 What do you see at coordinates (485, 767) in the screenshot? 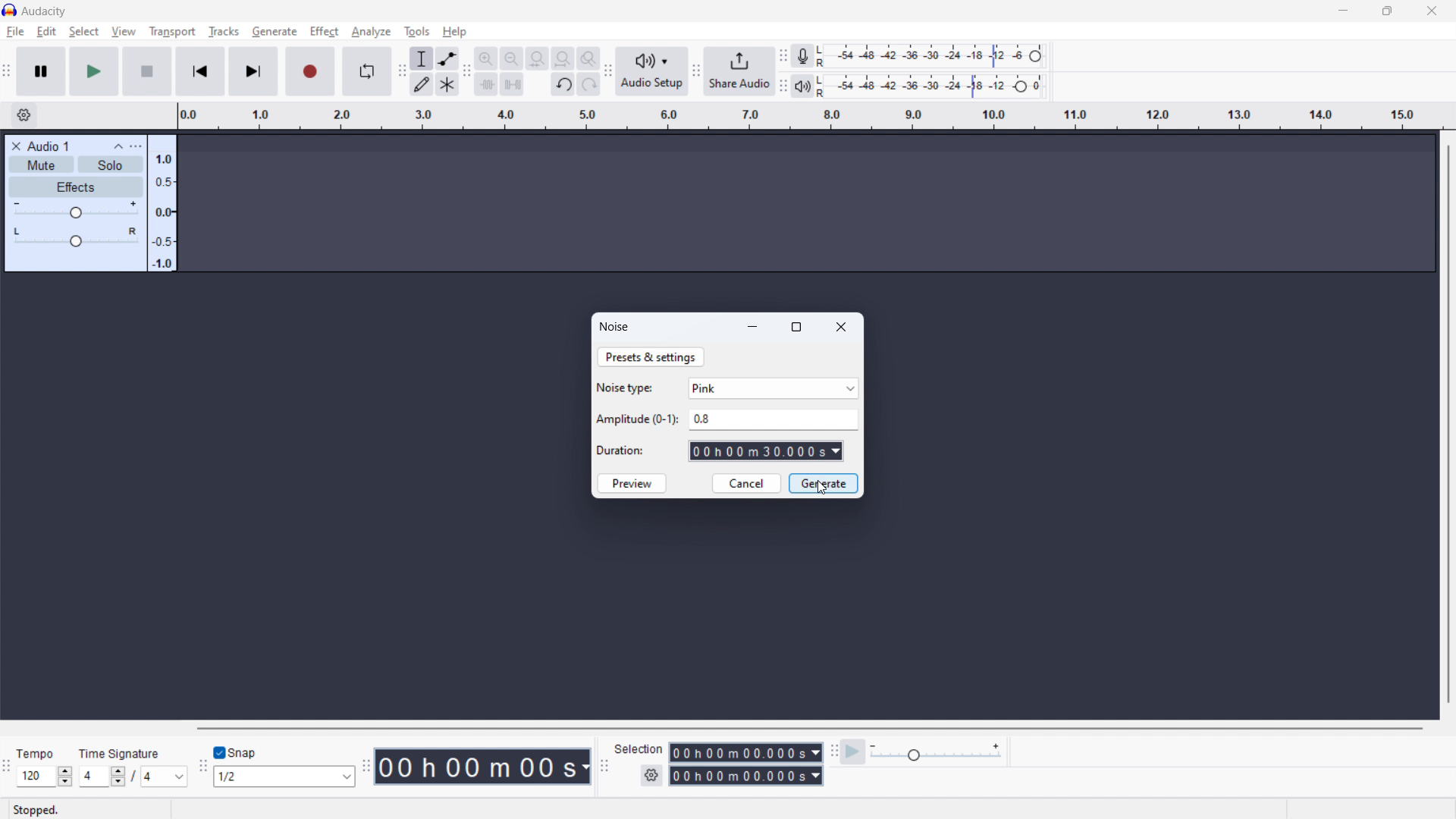
I see `timestamp` at bounding box center [485, 767].